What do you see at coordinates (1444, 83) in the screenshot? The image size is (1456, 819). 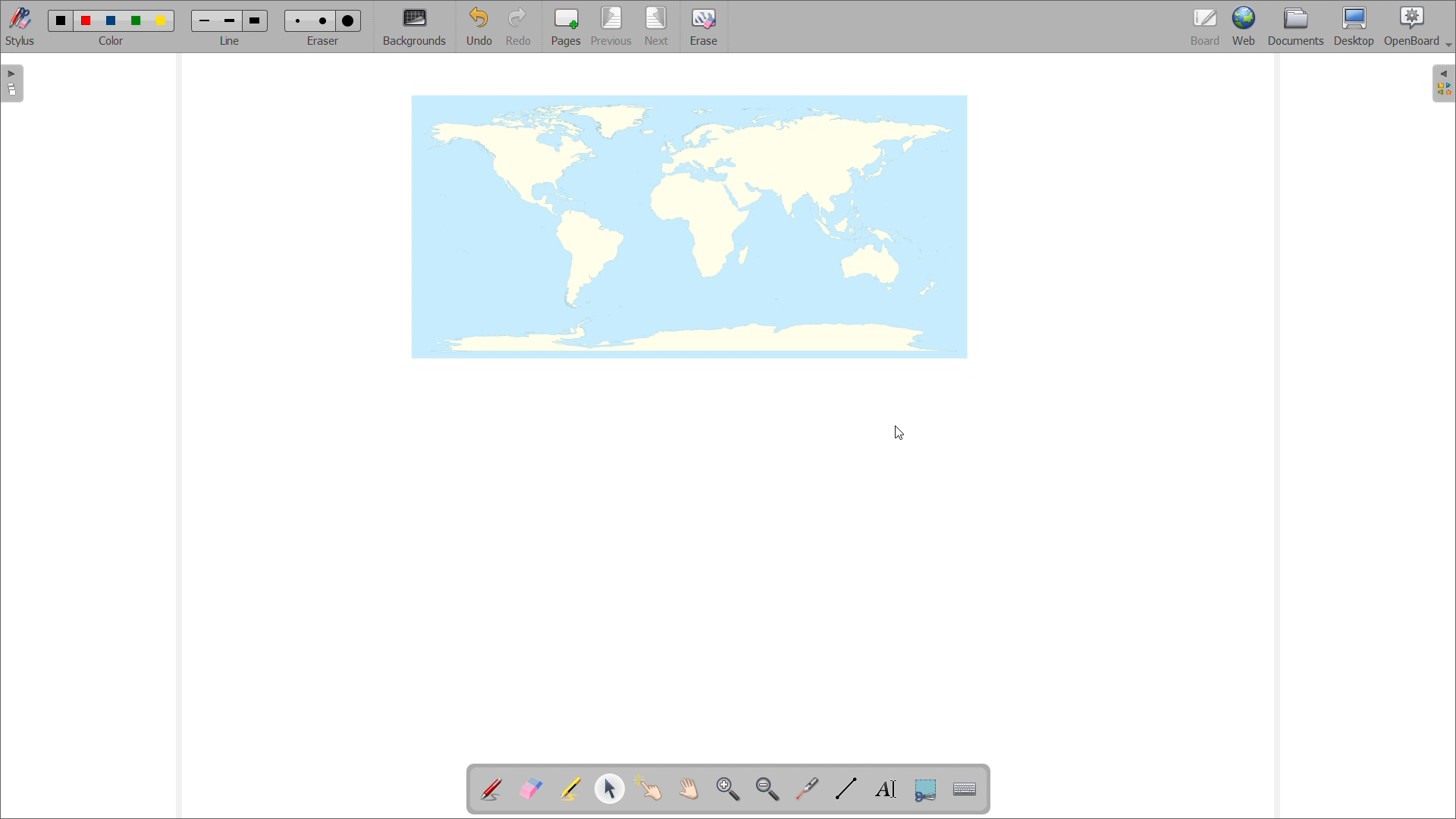 I see `open folder view` at bounding box center [1444, 83].